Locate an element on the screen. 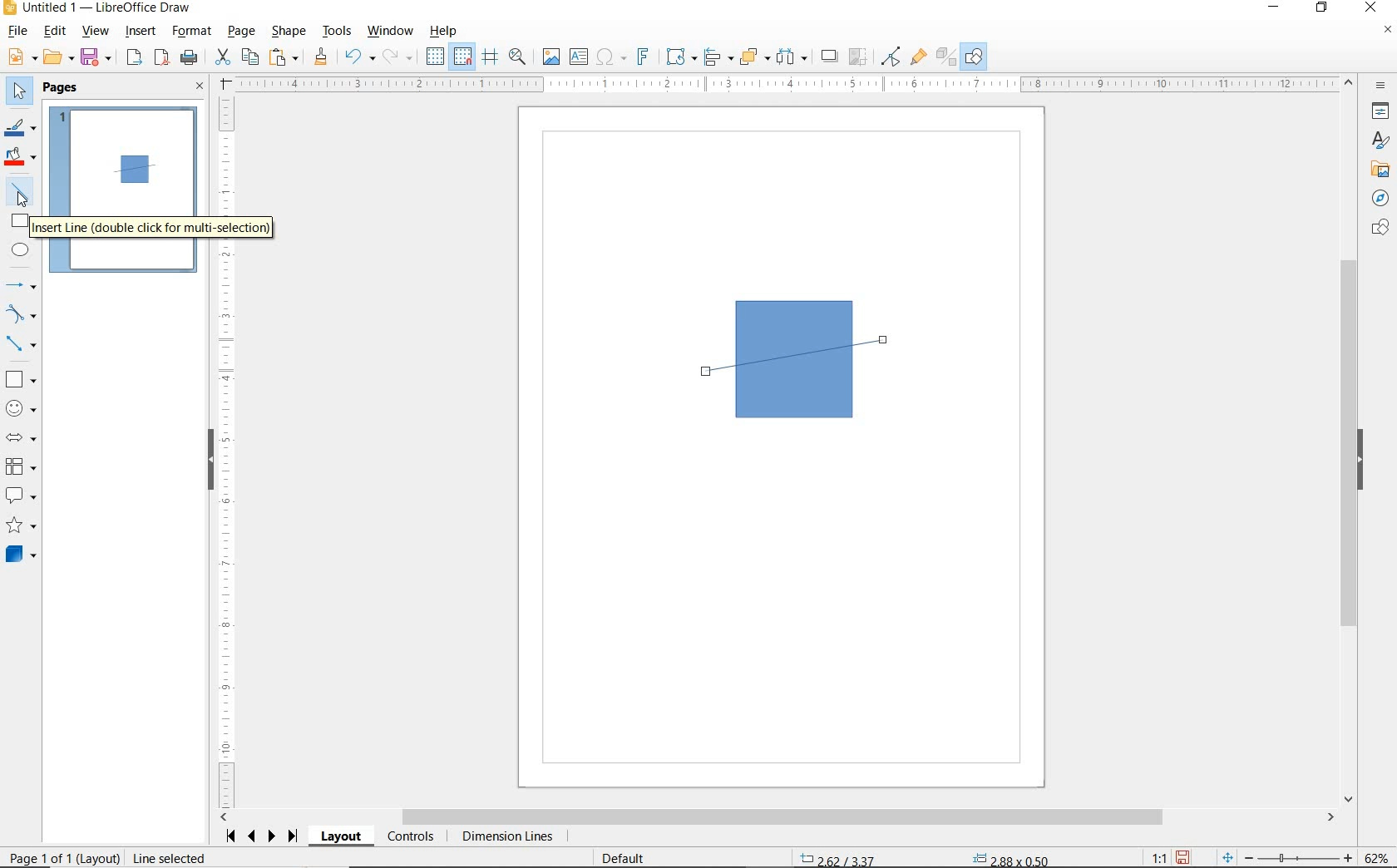 The image size is (1397, 868). TRANSFORMATIONS is located at coordinates (679, 57).